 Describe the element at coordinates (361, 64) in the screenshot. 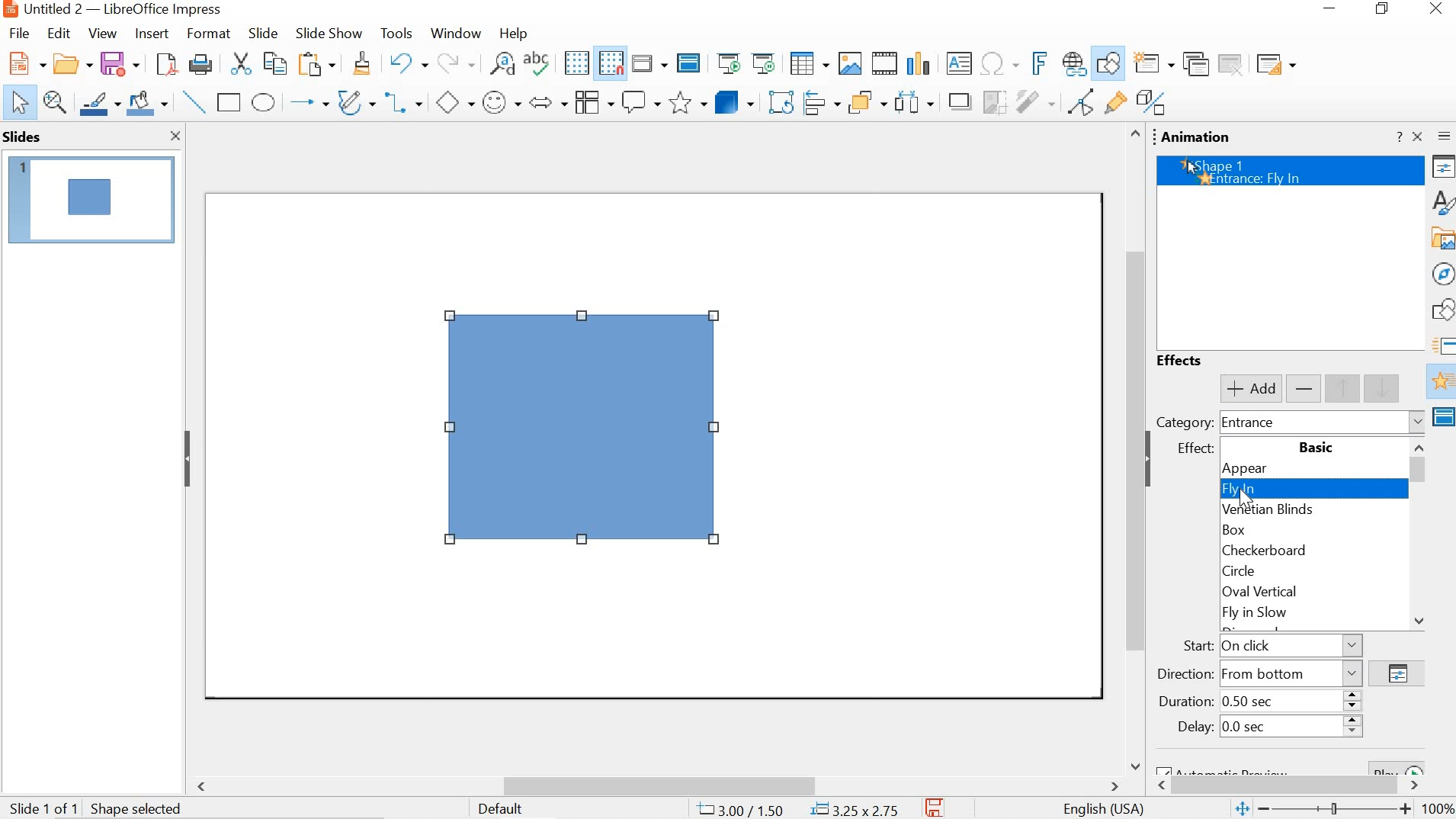

I see `clone formatting` at that location.